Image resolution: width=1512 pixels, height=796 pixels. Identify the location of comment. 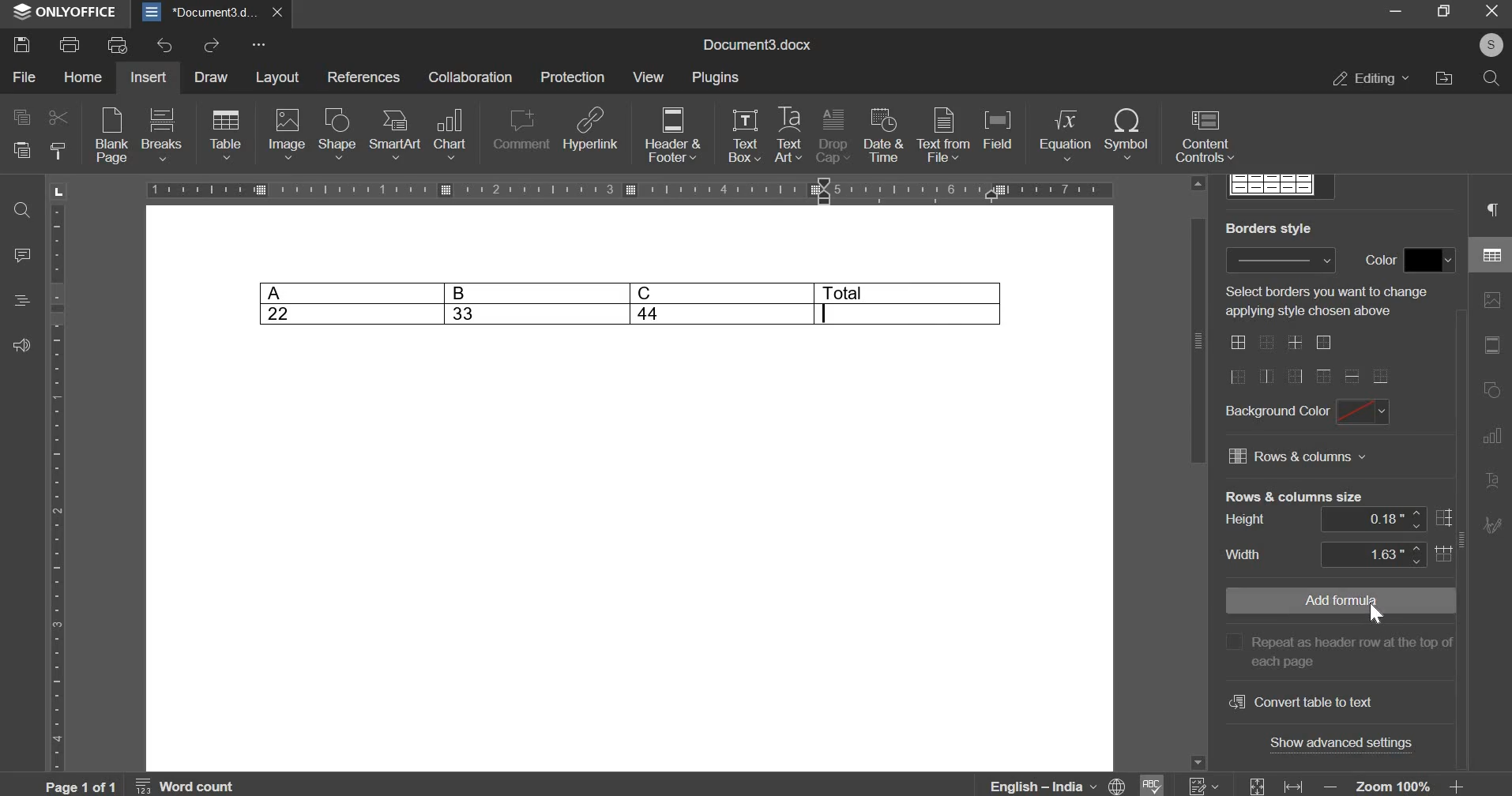
(518, 130).